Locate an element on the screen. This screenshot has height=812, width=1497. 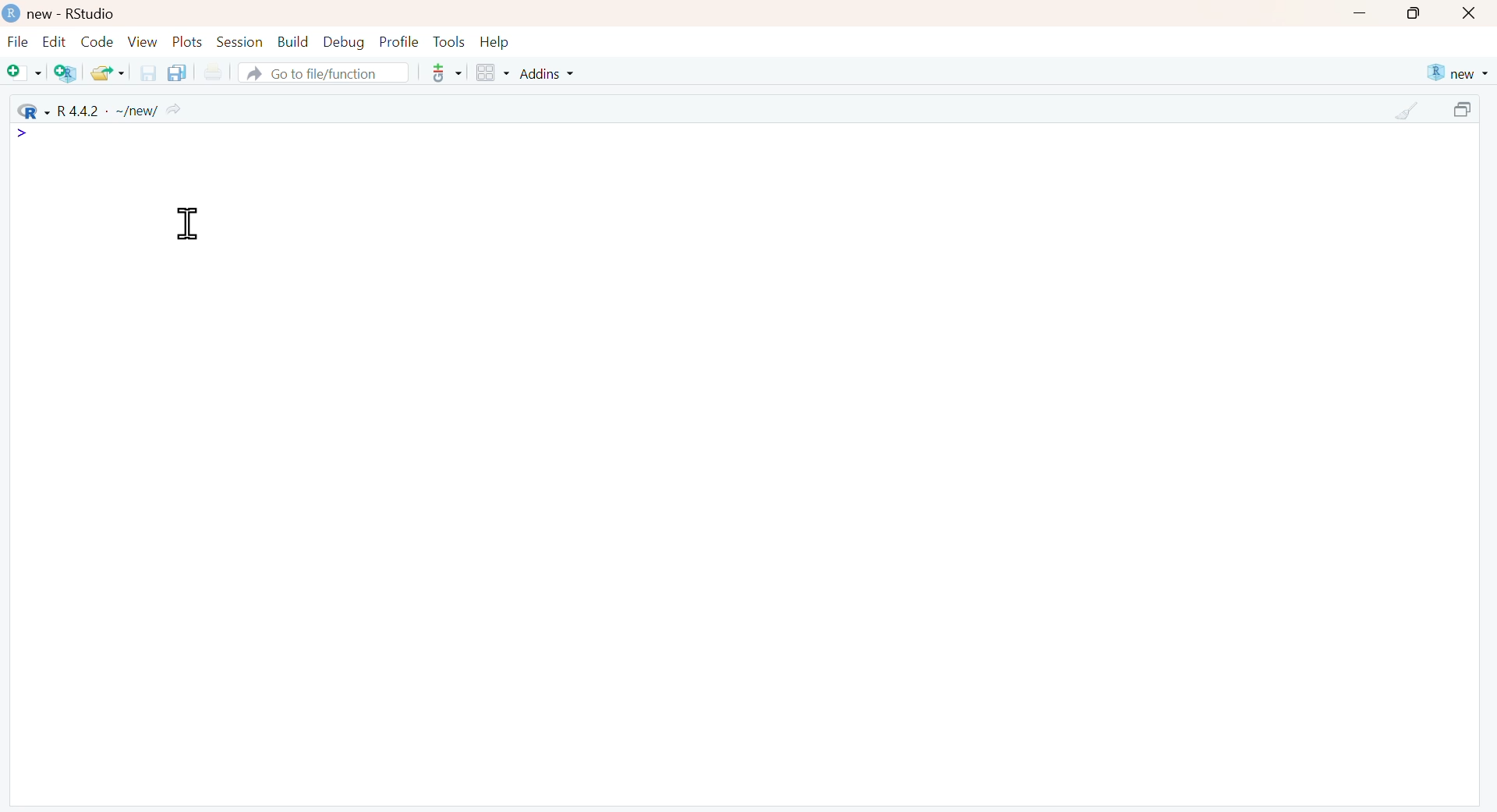
icon is located at coordinates (23, 133).